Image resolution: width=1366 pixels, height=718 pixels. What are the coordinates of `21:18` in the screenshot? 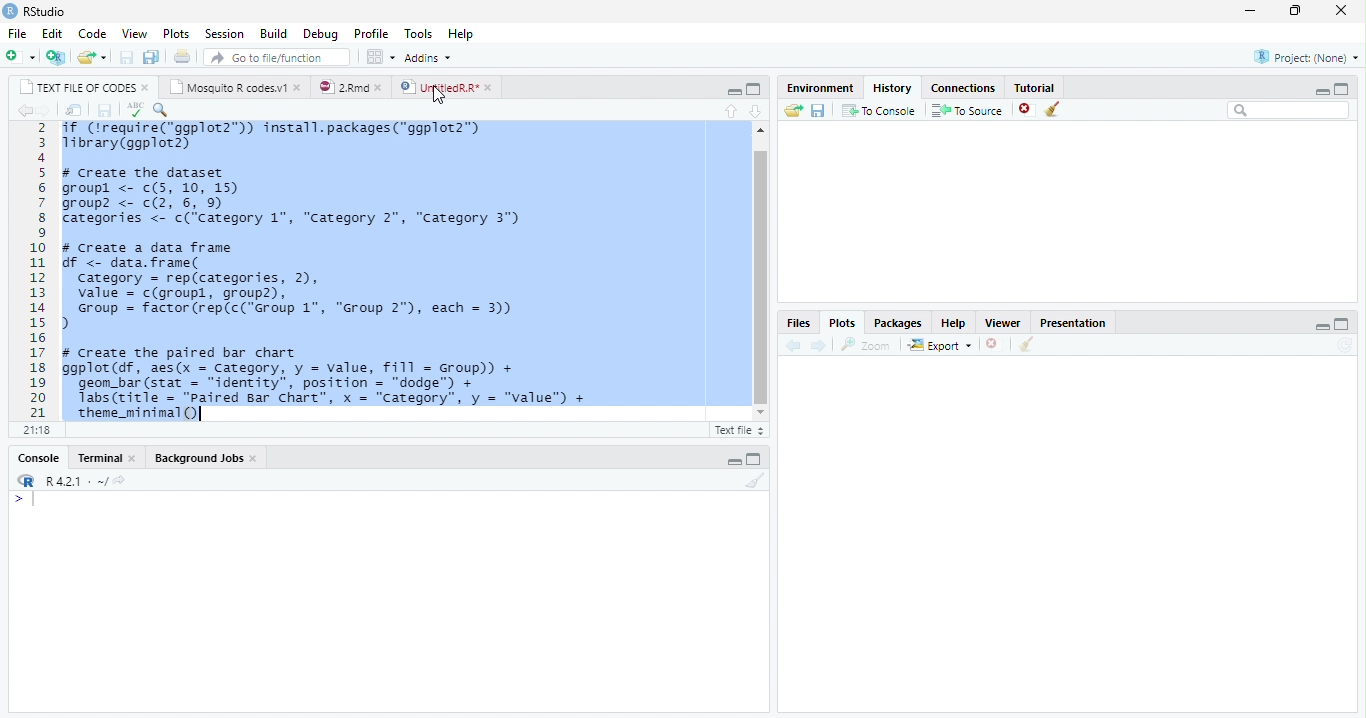 It's located at (39, 430).